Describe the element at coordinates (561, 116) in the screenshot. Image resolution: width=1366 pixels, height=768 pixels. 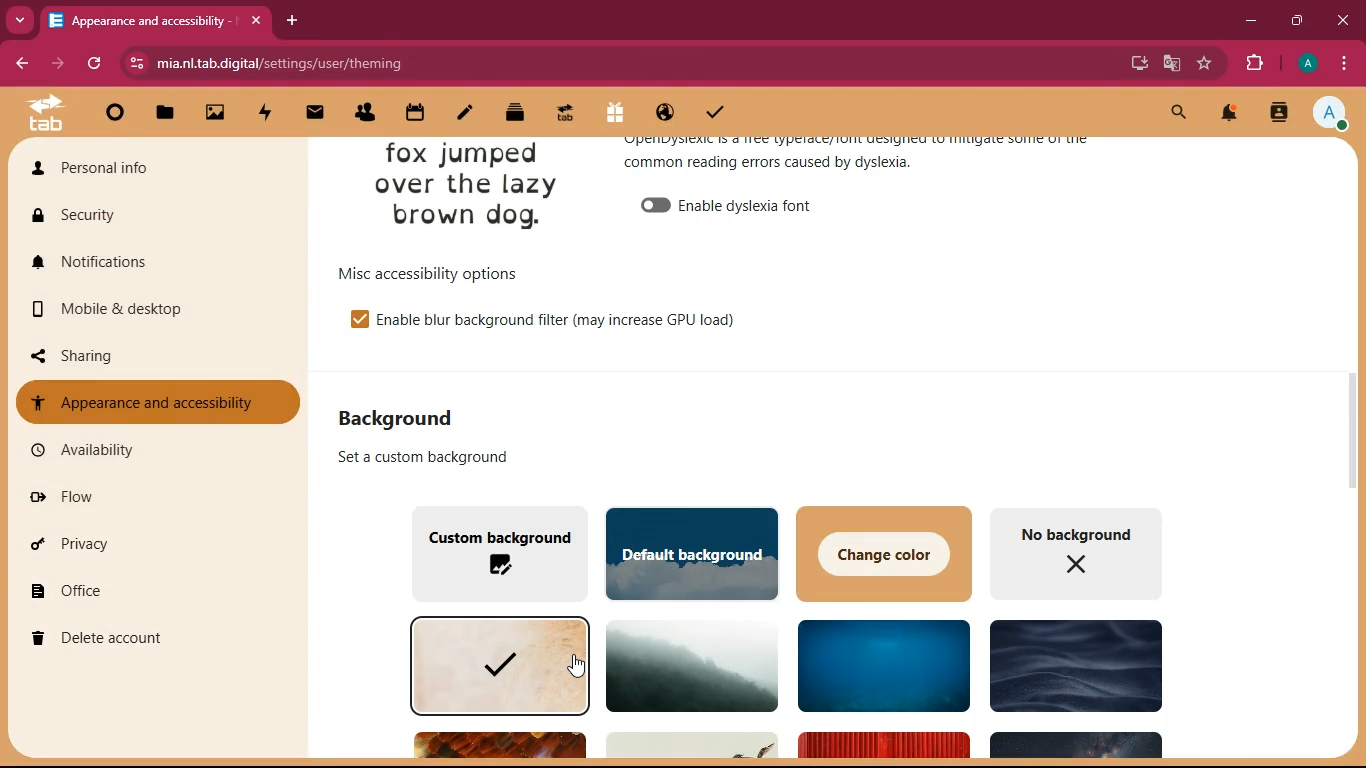
I see `tab` at that location.